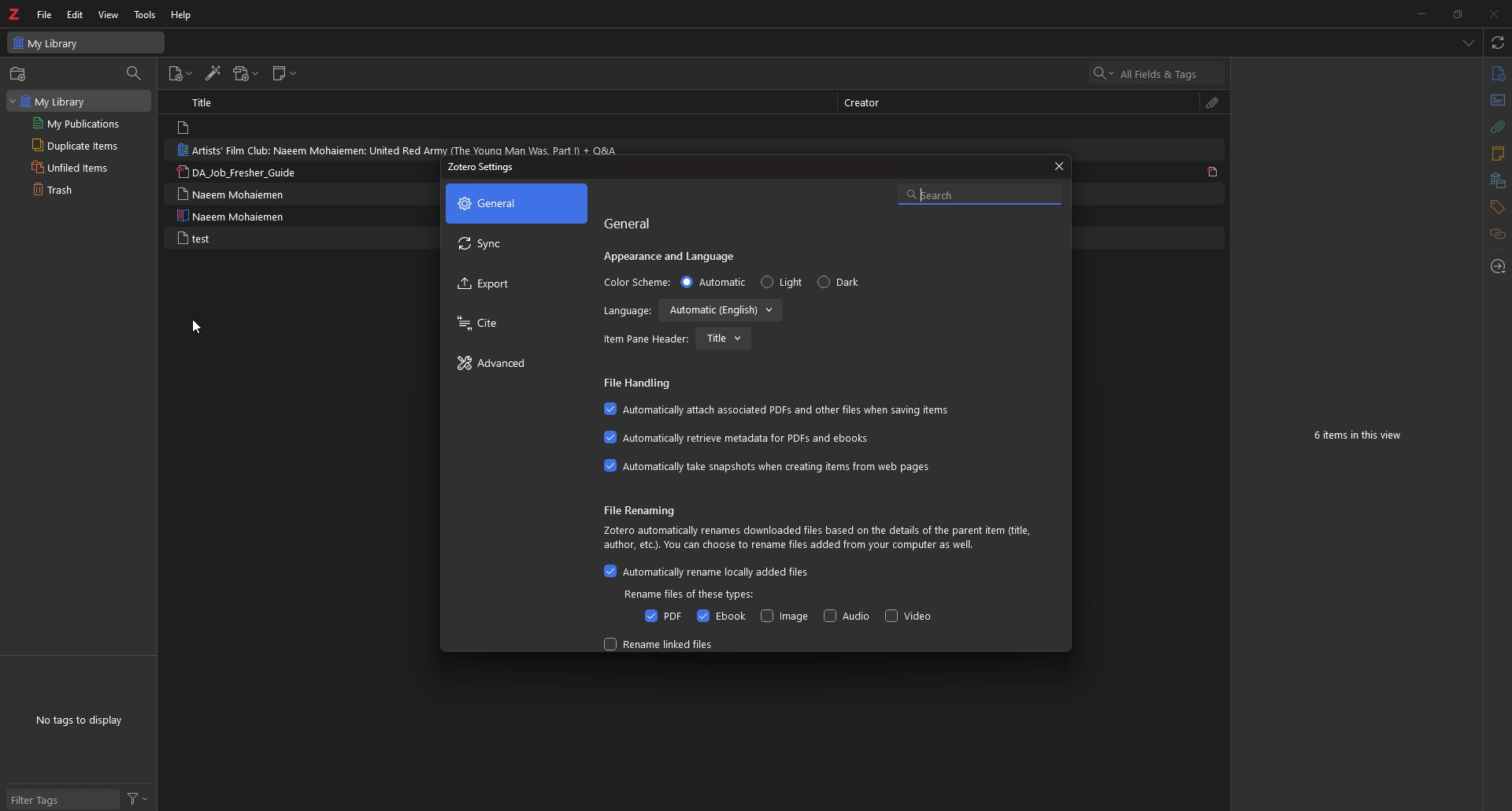  I want to click on Naeem Mohaiemen, so click(234, 216).